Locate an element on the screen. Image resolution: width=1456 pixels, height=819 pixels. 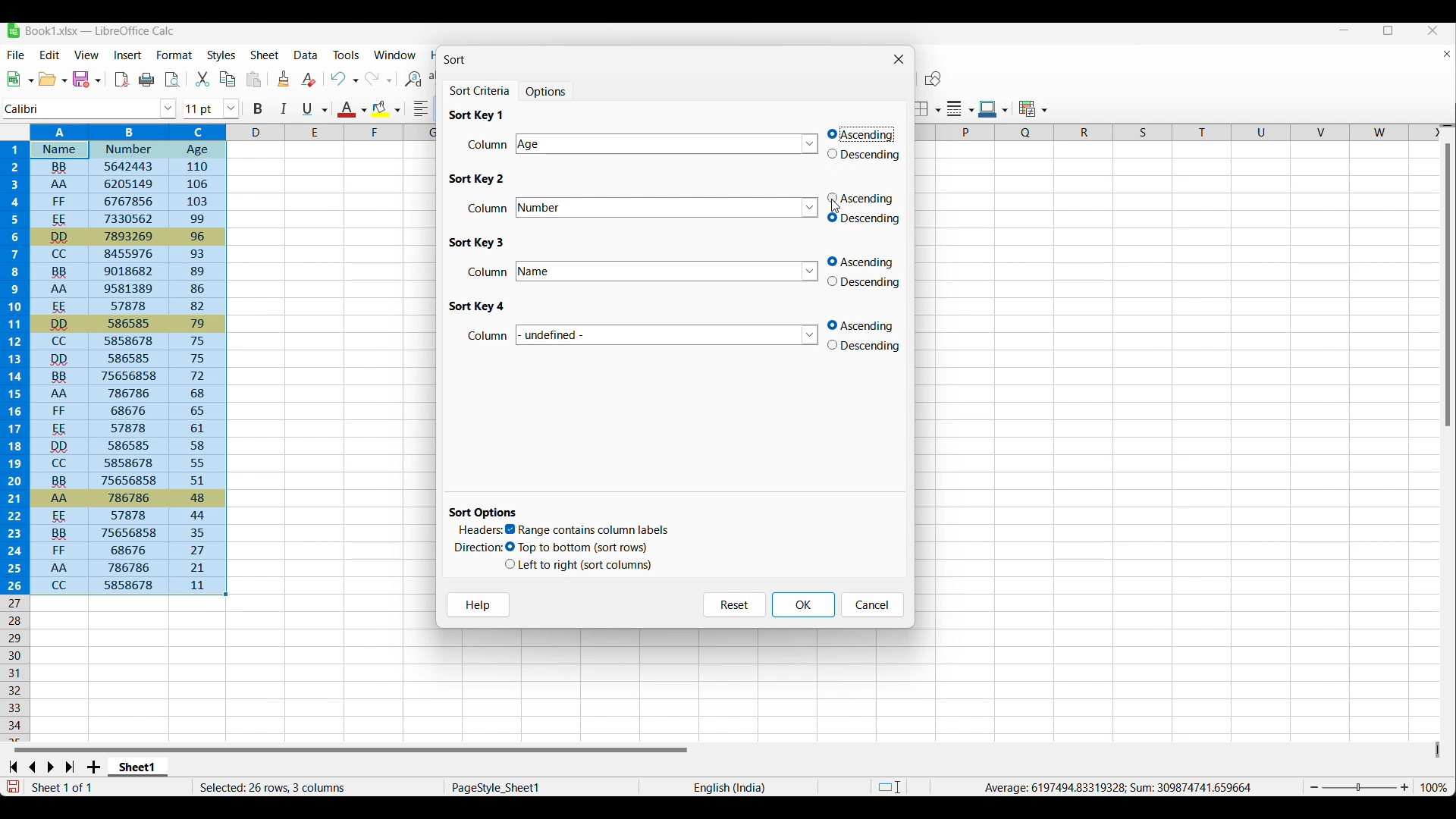
Standard selection is located at coordinates (890, 787).